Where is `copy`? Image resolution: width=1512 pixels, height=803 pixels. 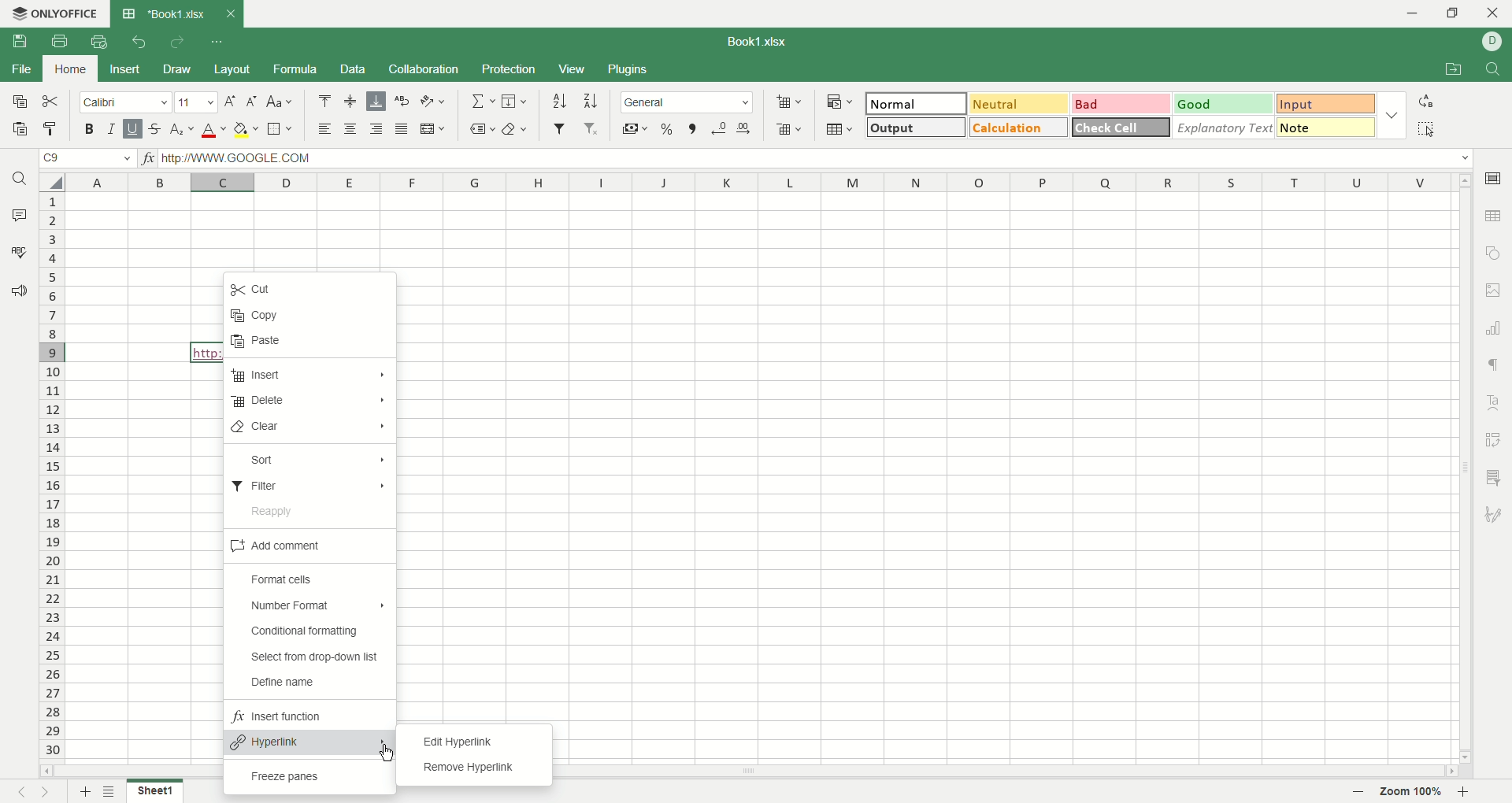
copy is located at coordinates (19, 102).